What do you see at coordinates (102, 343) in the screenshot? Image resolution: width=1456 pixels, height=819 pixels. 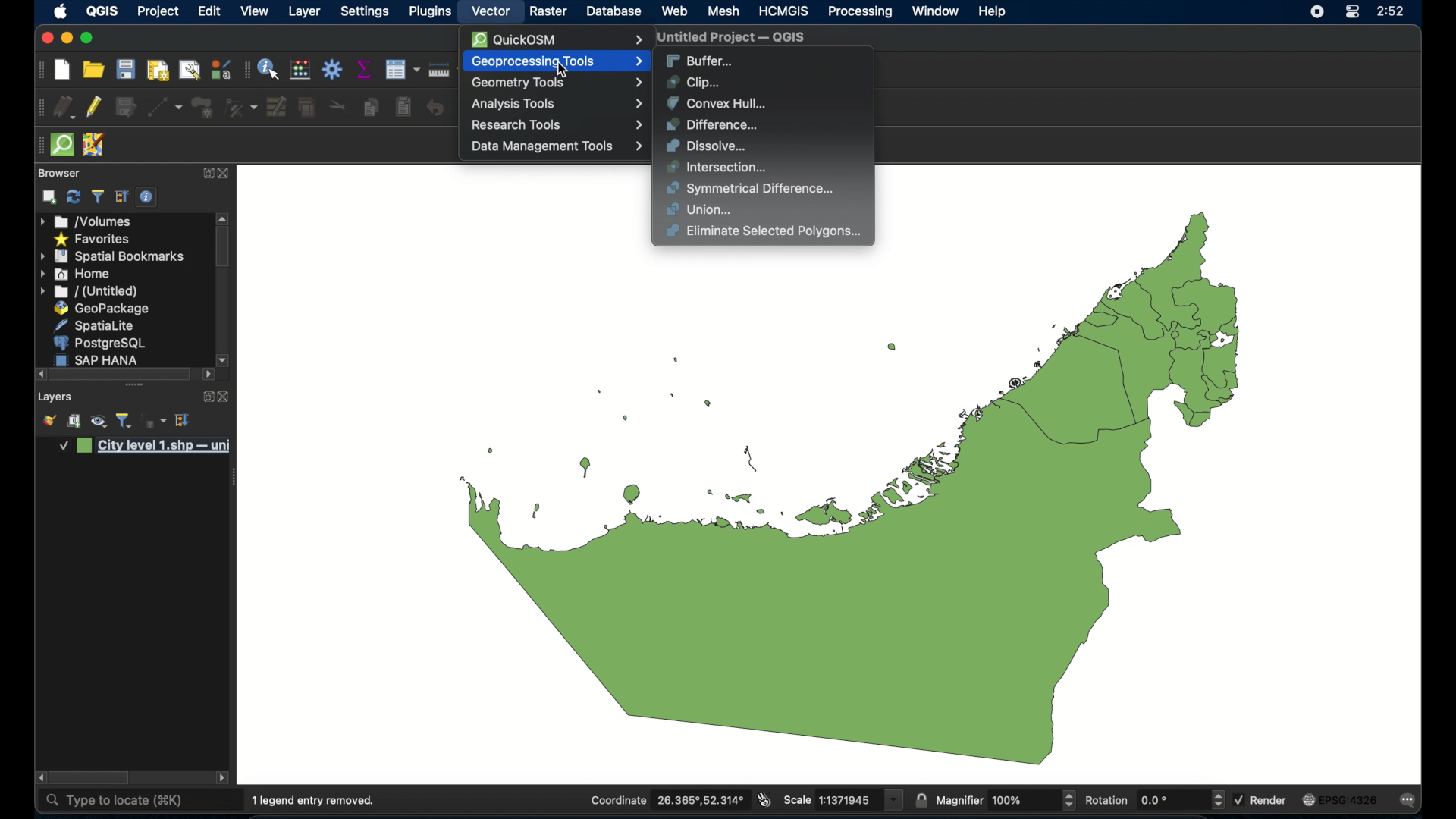 I see `postgresql` at bounding box center [102, 343].